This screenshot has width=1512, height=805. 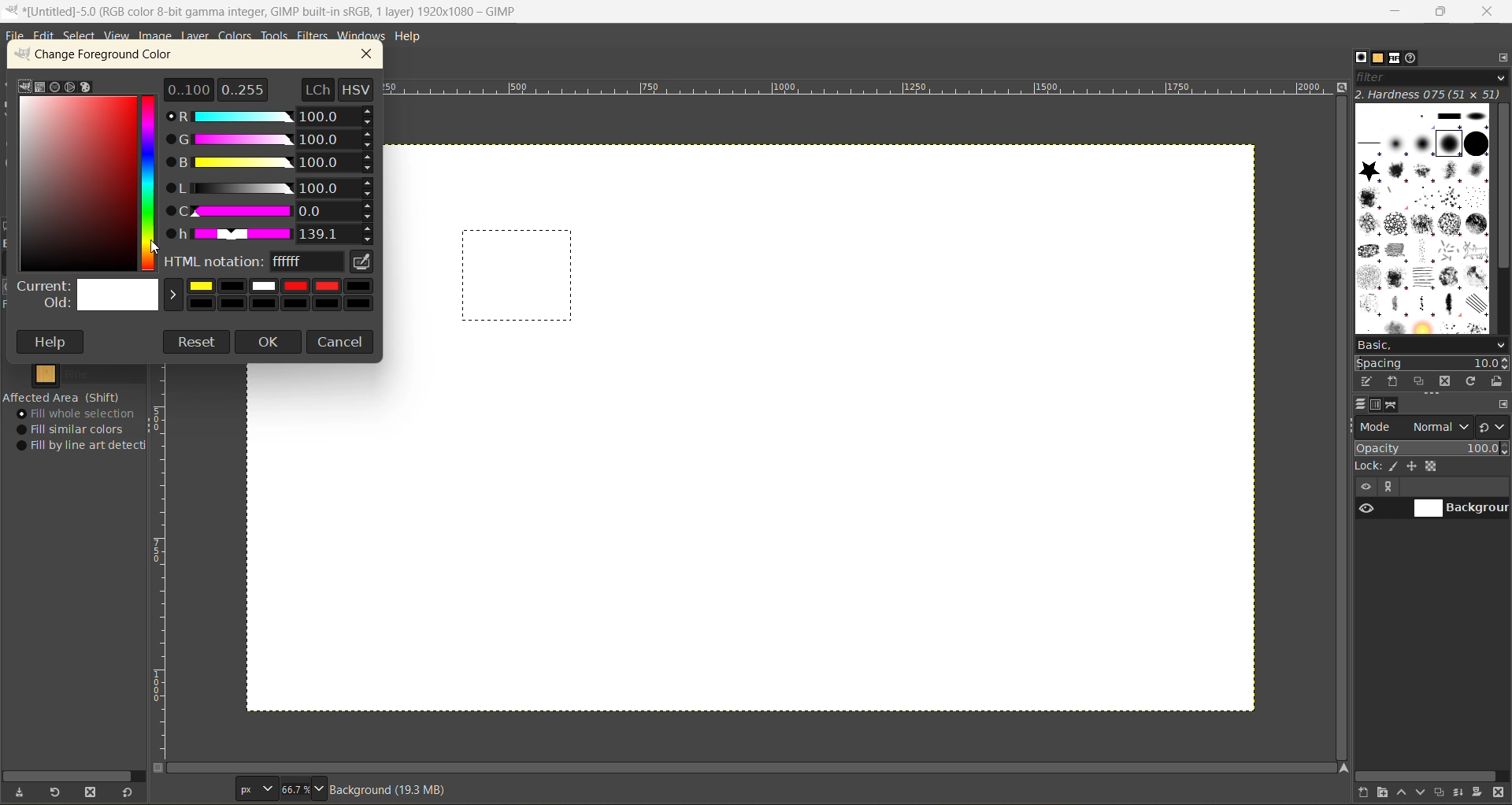 I want to click on gimp, so click(x=24, y=85).